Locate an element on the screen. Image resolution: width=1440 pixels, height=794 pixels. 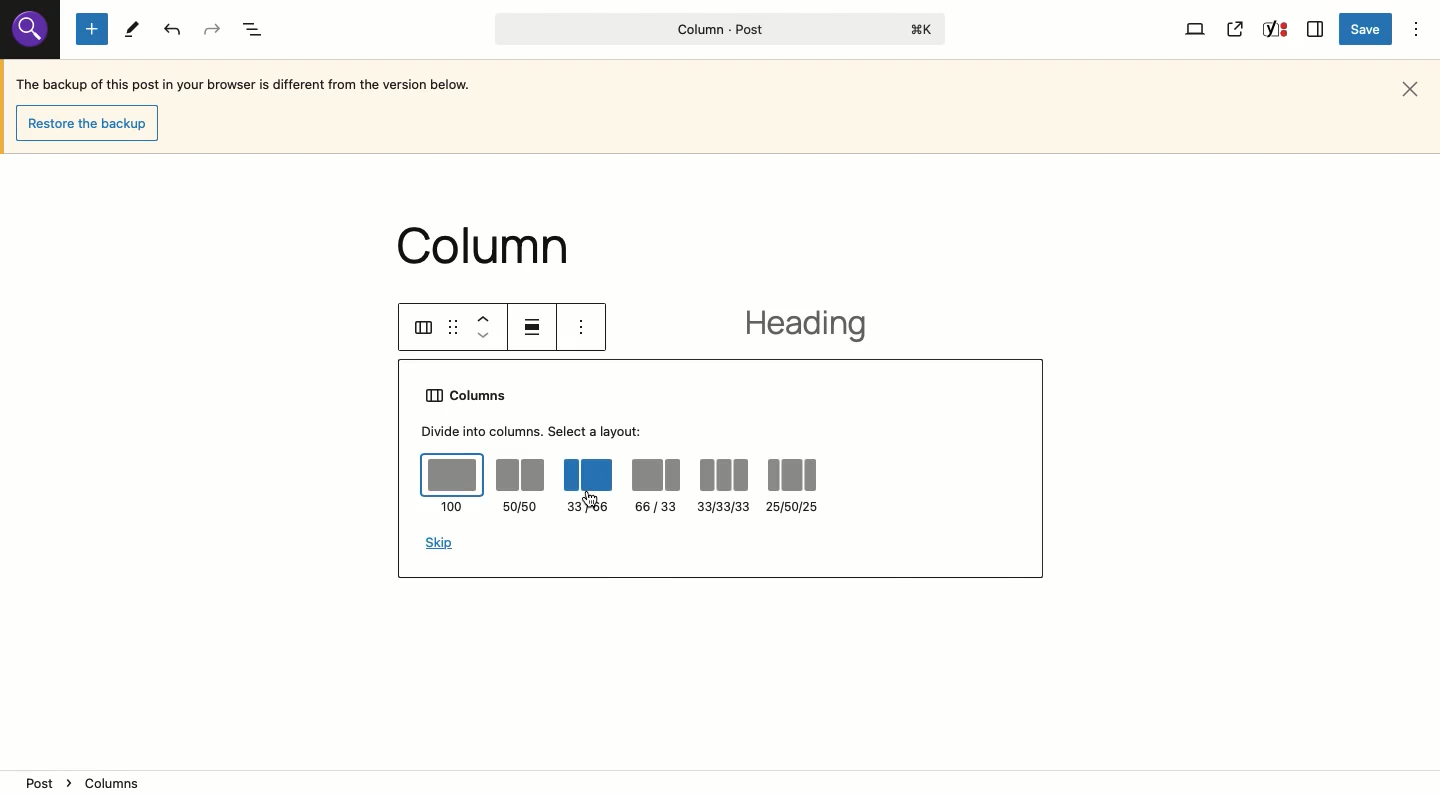
Justification is located at coordinates (535, 326).